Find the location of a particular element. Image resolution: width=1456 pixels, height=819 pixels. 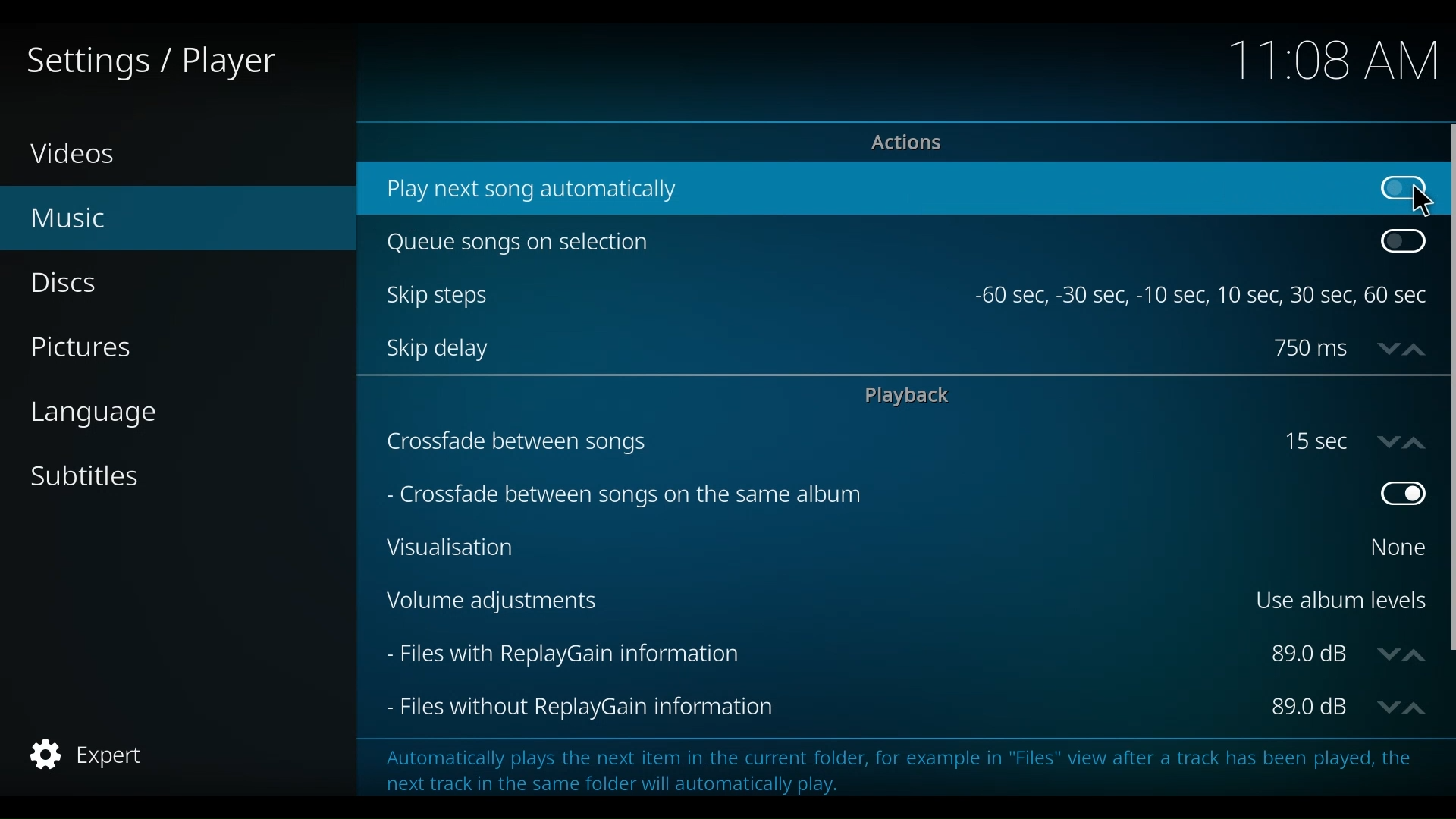

Crossfade between songs on/off is located at coordinates (1321, 441).